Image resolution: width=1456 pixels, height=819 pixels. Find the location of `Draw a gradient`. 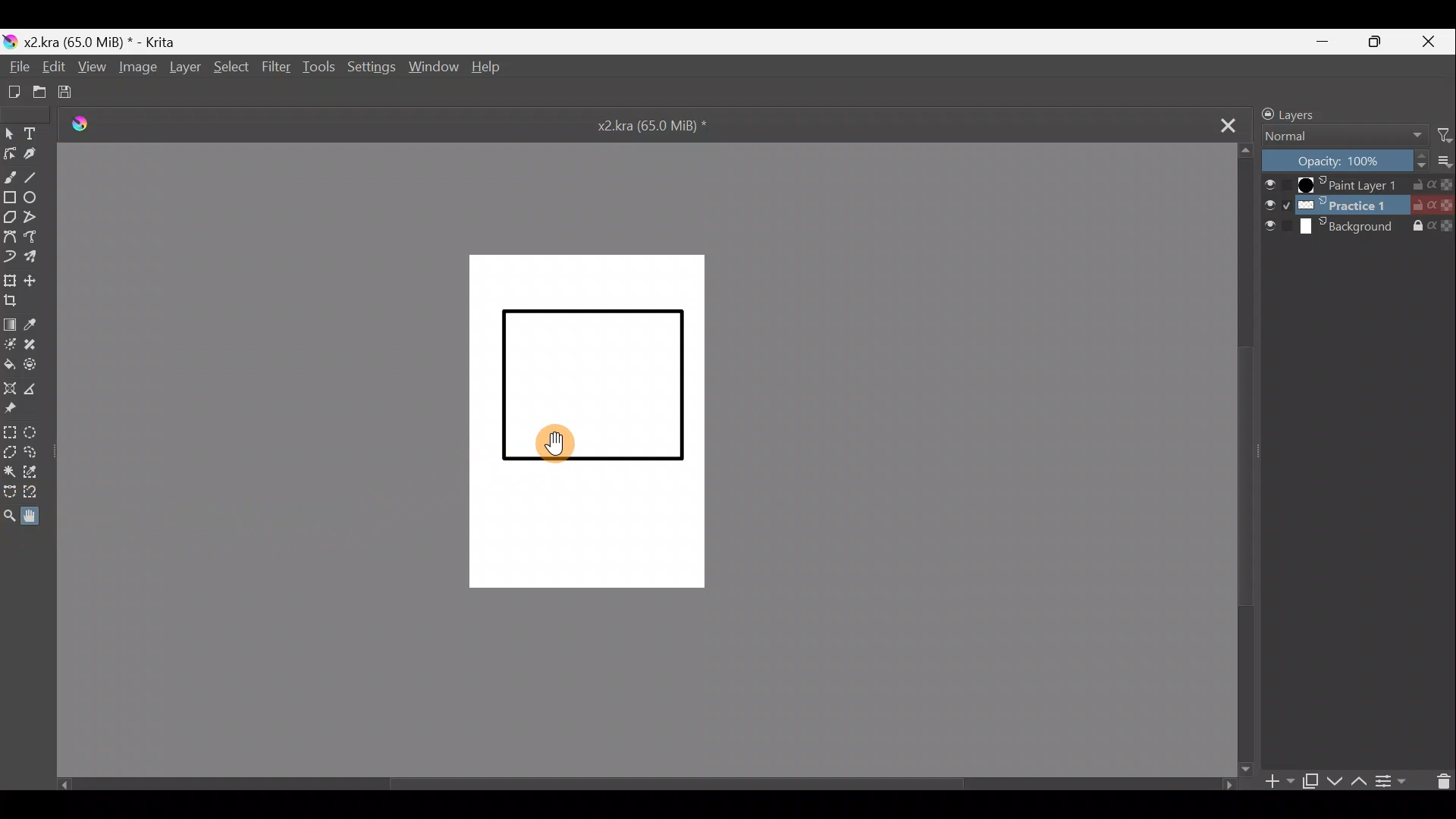

Draw a gradient is located at coordinates (11, 323).